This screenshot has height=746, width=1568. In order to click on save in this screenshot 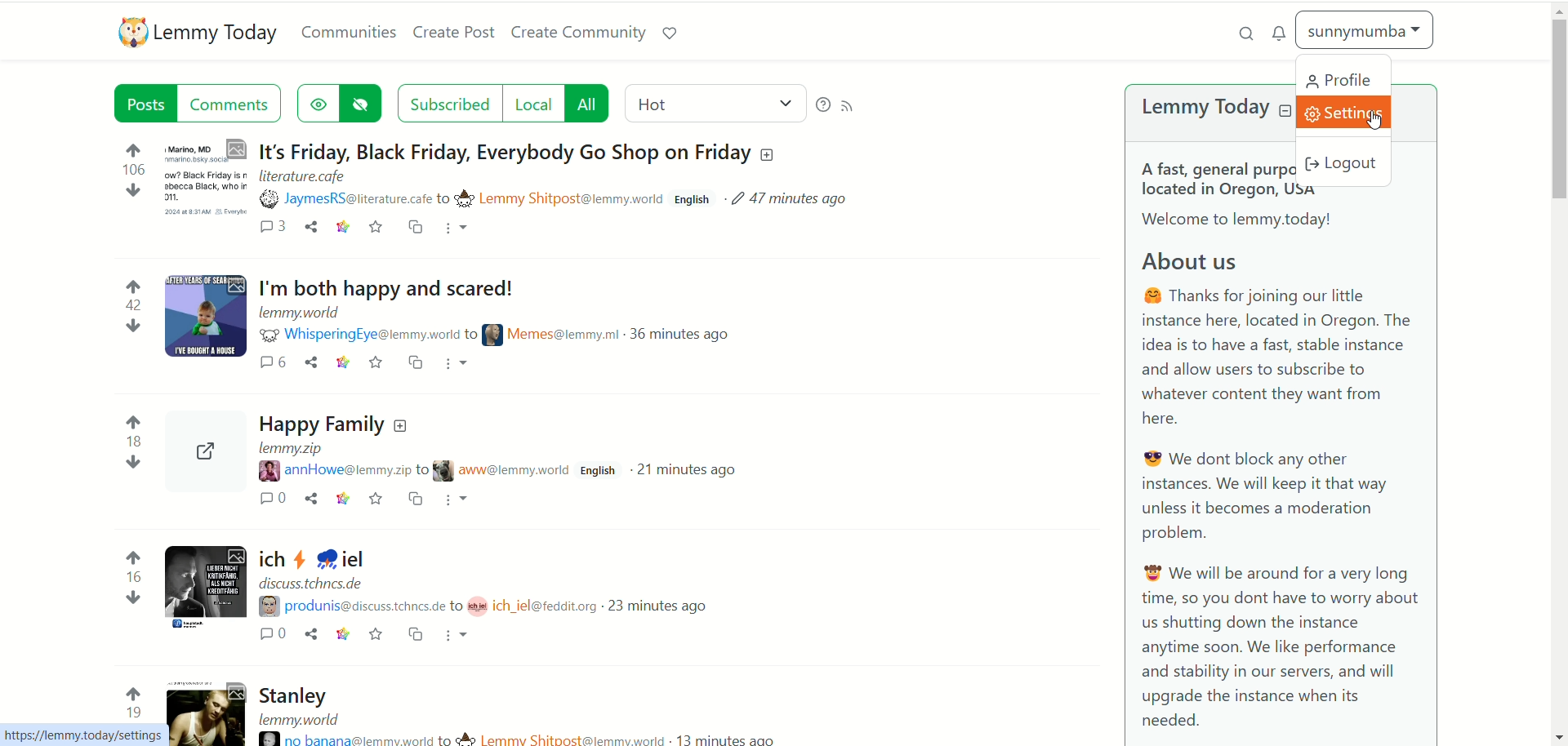, I will do `click(376, 229)`.